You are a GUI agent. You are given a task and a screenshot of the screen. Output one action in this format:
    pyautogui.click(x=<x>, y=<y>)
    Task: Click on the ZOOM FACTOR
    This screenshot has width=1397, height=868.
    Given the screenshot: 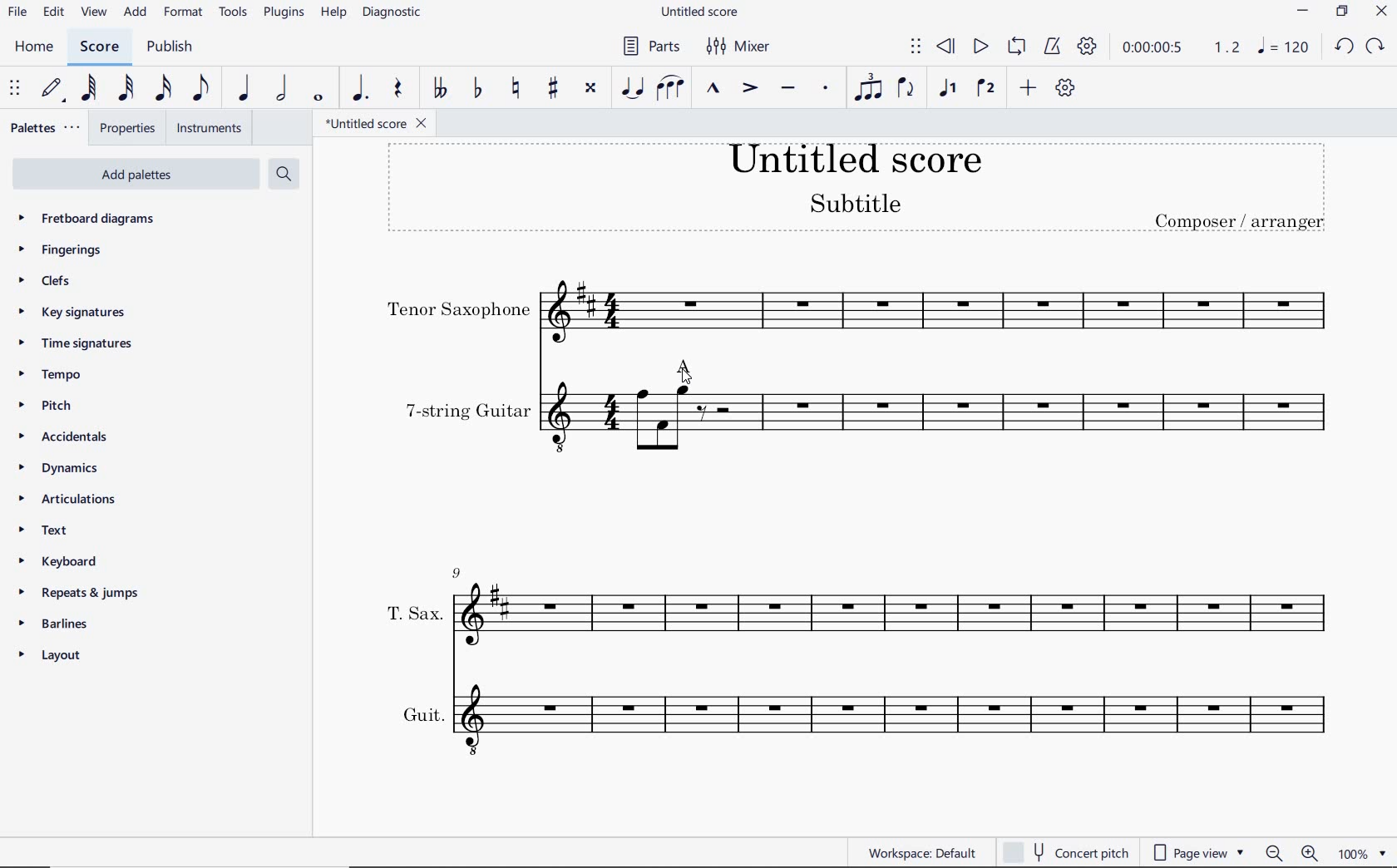 What is the action you would take?
    pyautogui.click(x=1362, y=853)
    